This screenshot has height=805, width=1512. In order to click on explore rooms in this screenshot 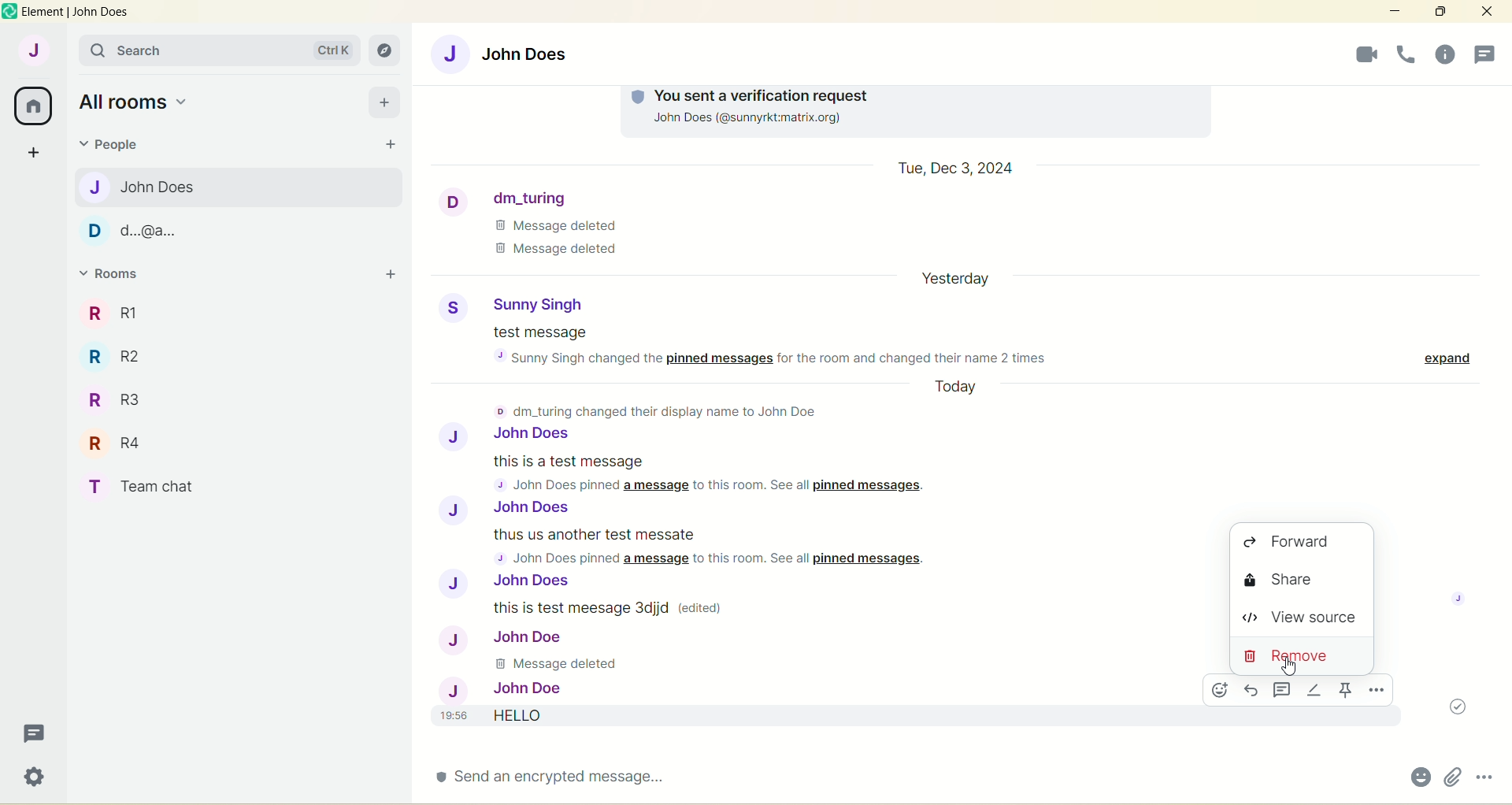, I will do `click(386, 50)`.